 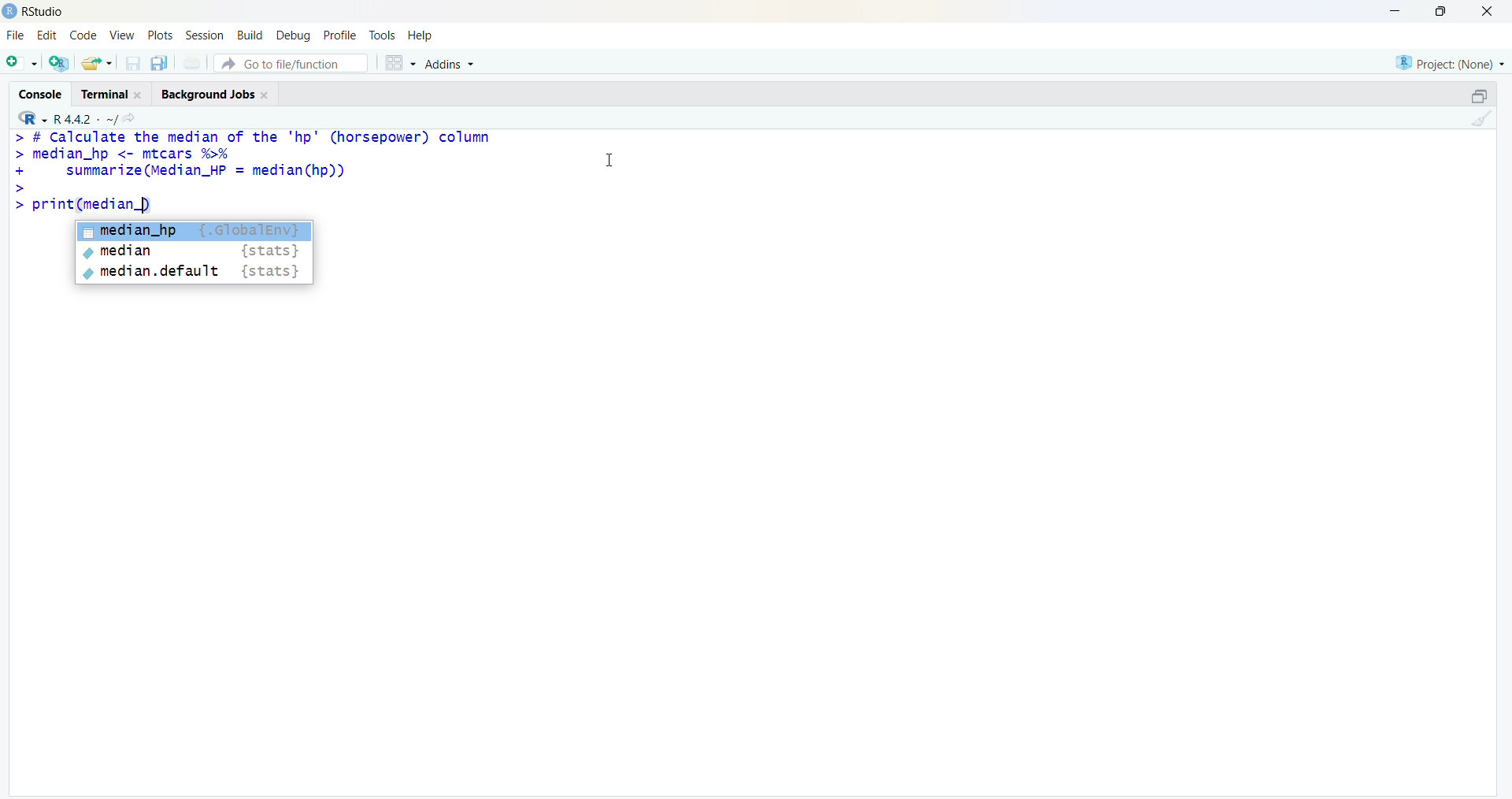 What do you see at coordinates (1481, 118) in the screenshot?
I see `clean` at bounding box center [1481, 118].